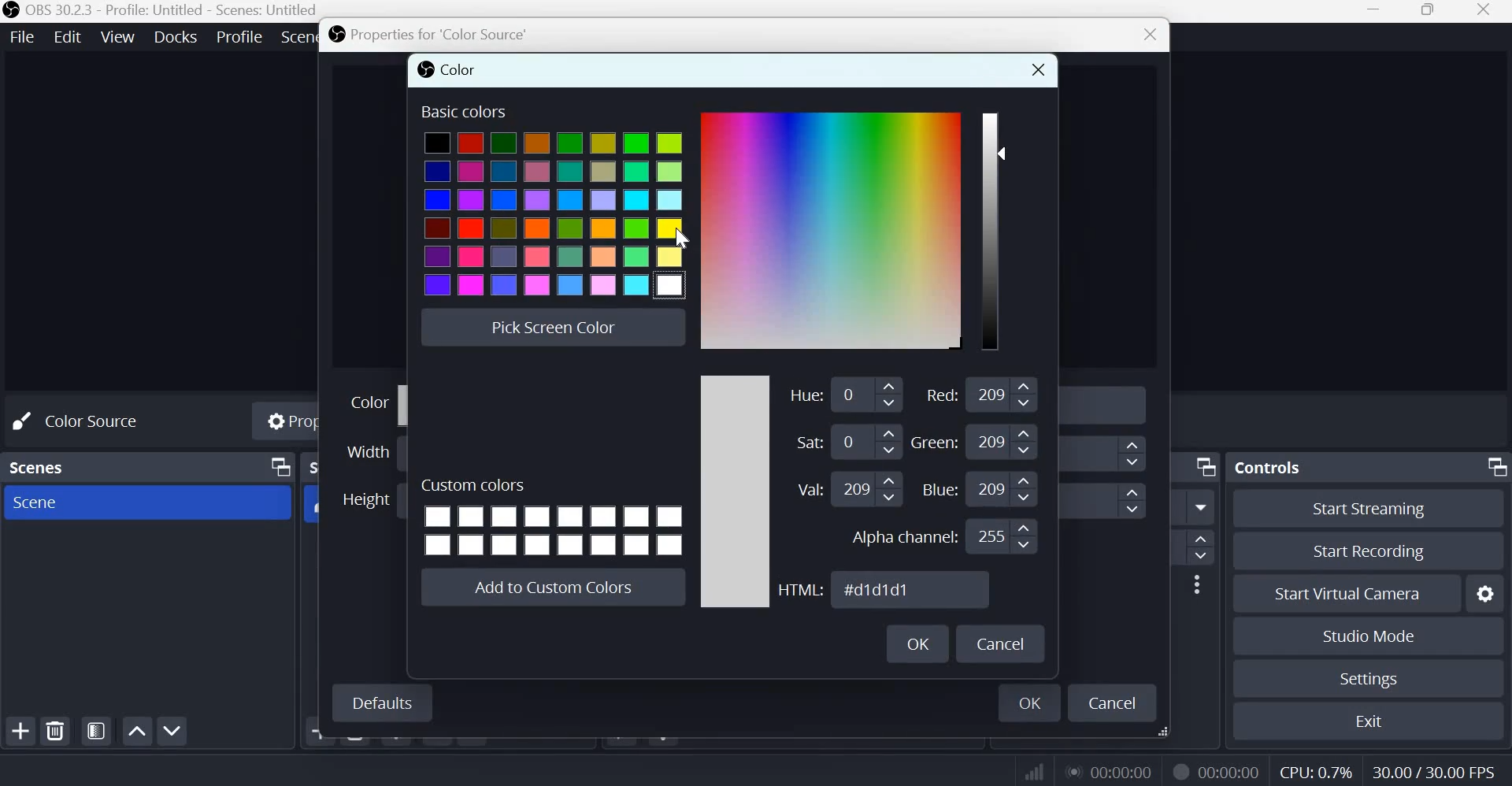 This screenshot has width=1512, height=786. What do you see at coordinates (20, 731) in the screenshot?
I see `add scene` at bounding box center [20, 731].